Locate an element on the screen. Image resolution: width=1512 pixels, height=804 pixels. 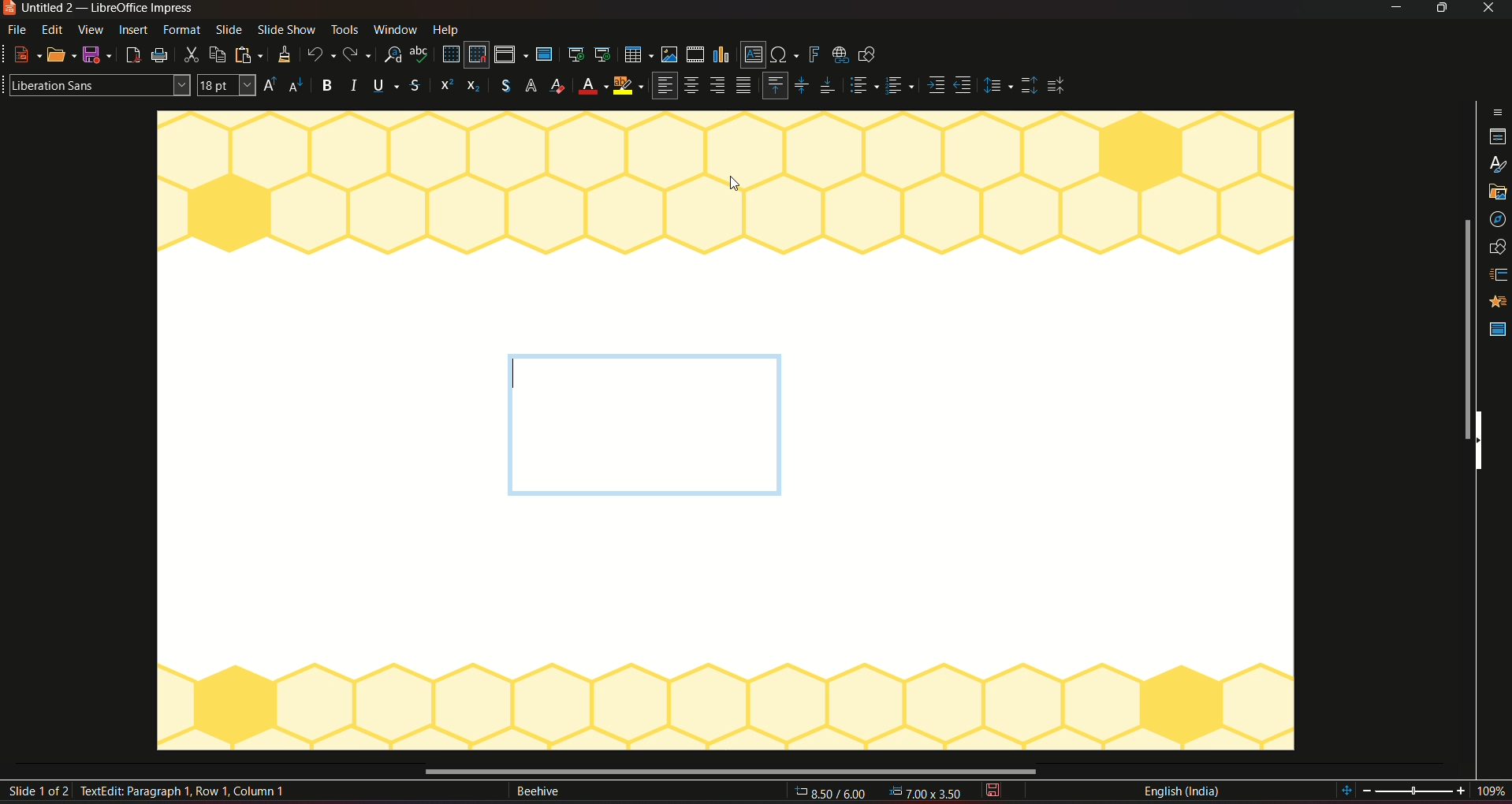
cut is located at coordinates (192, 56).